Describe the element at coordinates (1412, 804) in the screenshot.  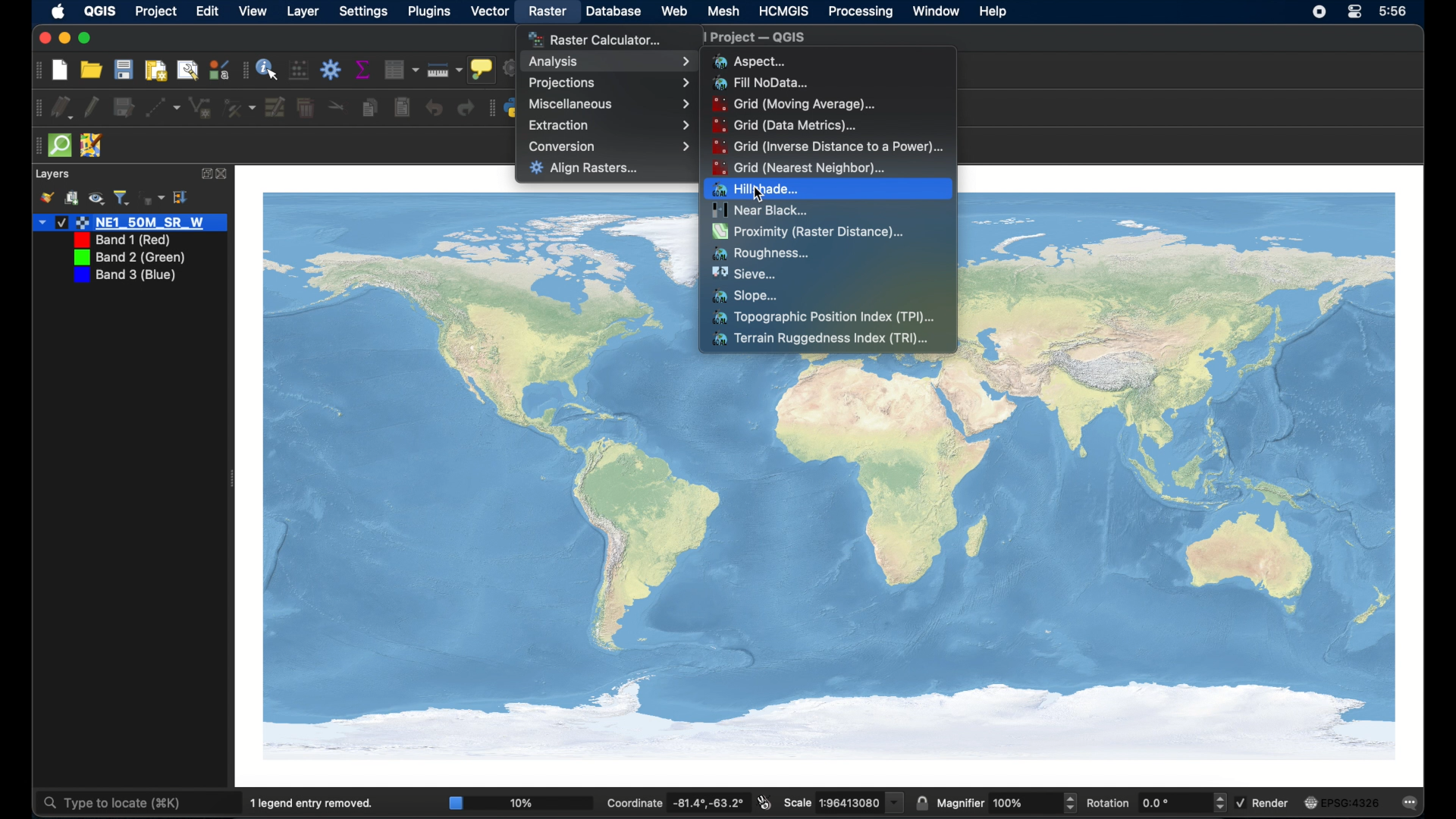
I see `messages` at that location.